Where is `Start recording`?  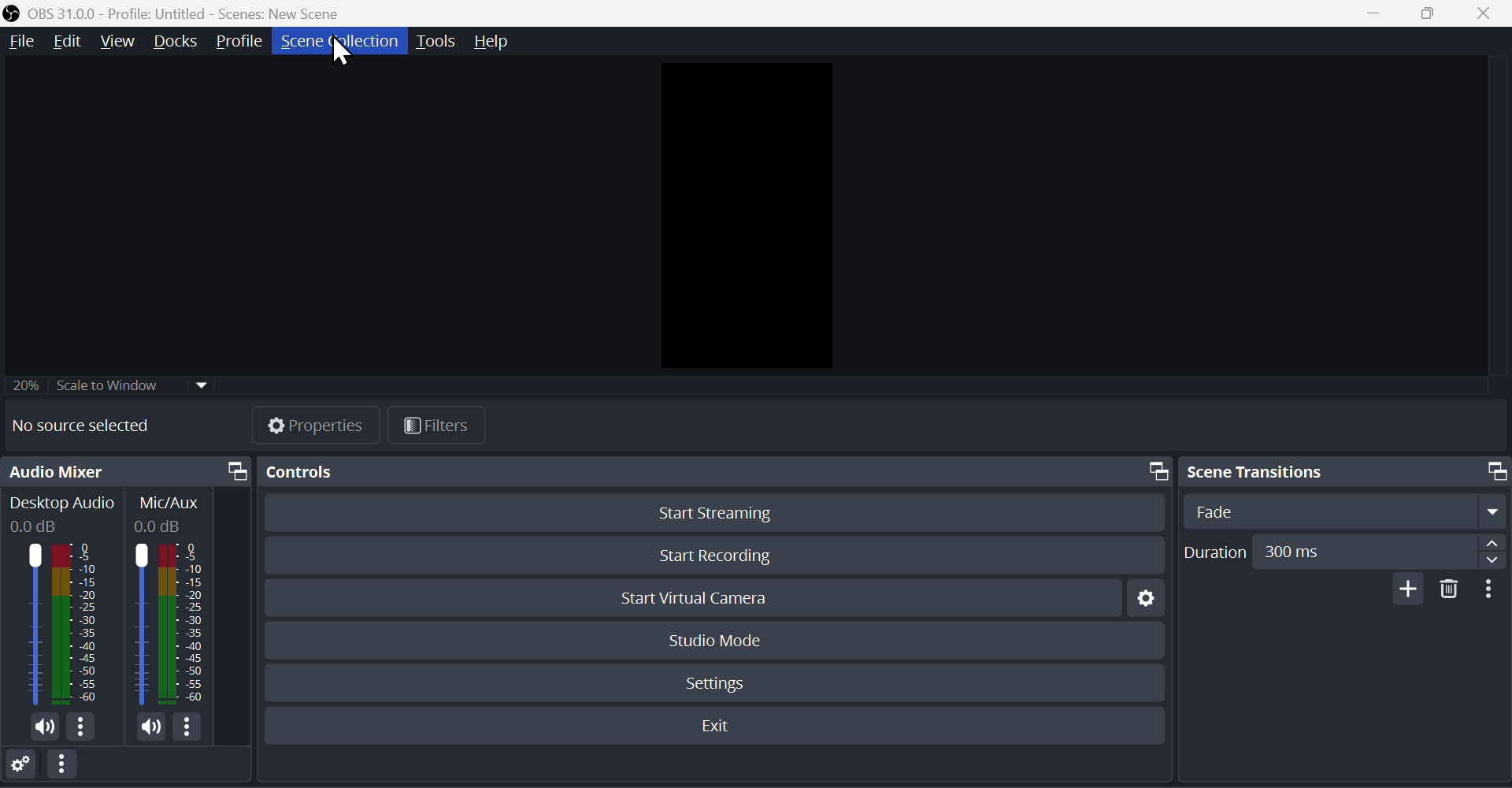
Start recording is located at coordinates (717, 552).